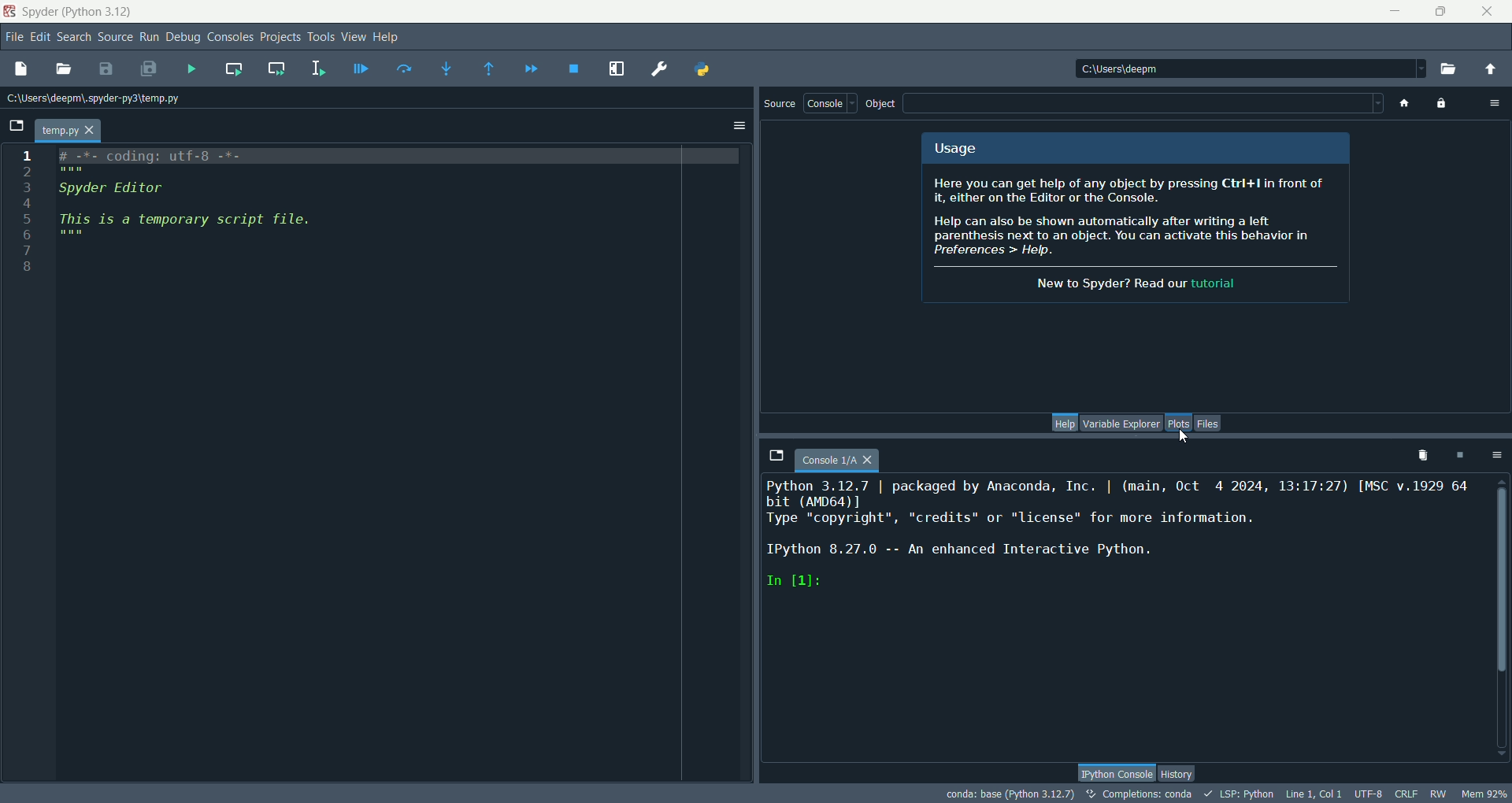 This screenshot has width=1512, height=803. Describe the element at coordinates (531, 68) in the screenshot. I see `continue execution until next breakpoint` at that location.